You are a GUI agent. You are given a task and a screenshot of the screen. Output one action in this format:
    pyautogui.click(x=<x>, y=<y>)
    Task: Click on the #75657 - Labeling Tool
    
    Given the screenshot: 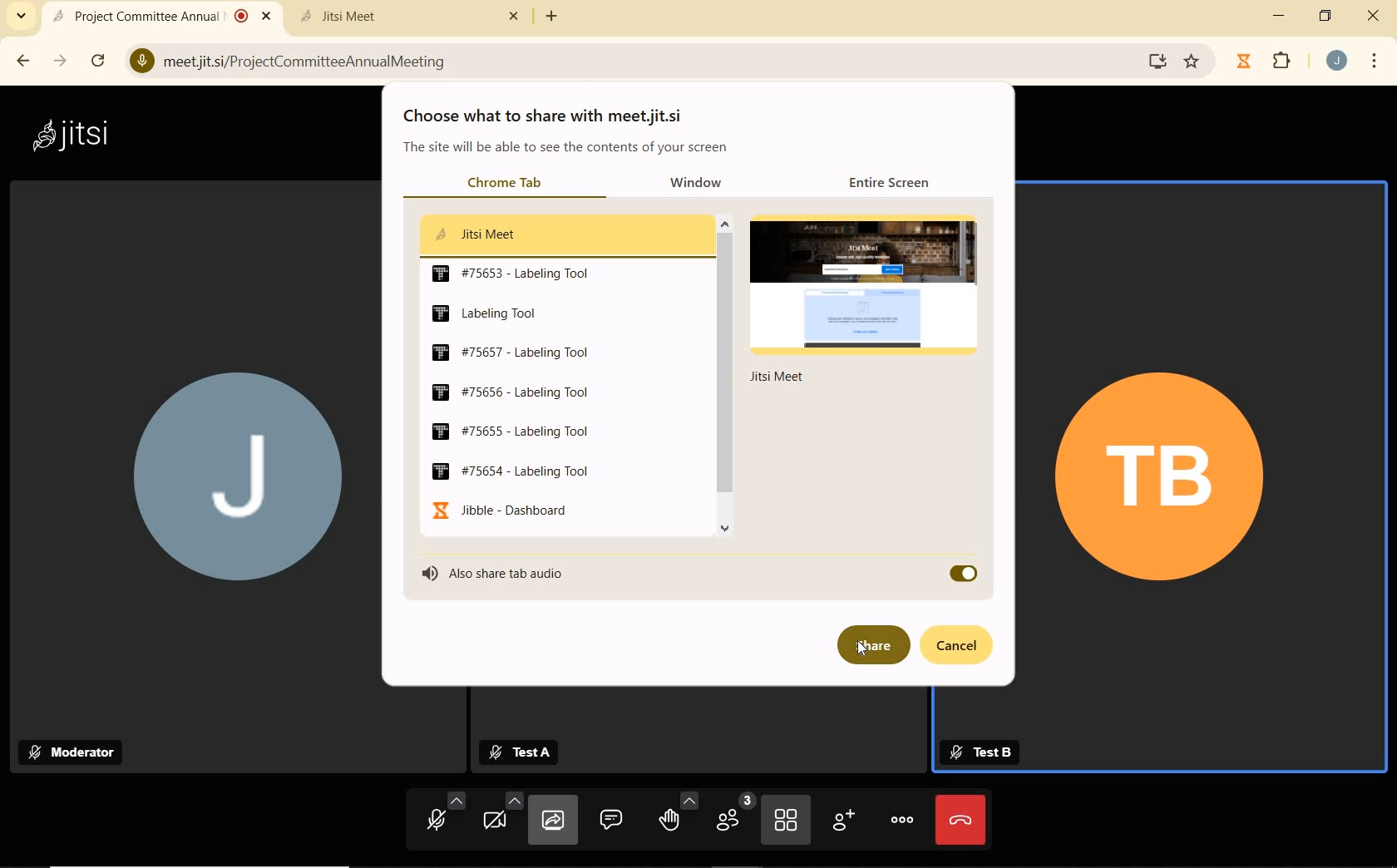 What is the action you would take?
    pyautogui.click(x=511, y=352)
    